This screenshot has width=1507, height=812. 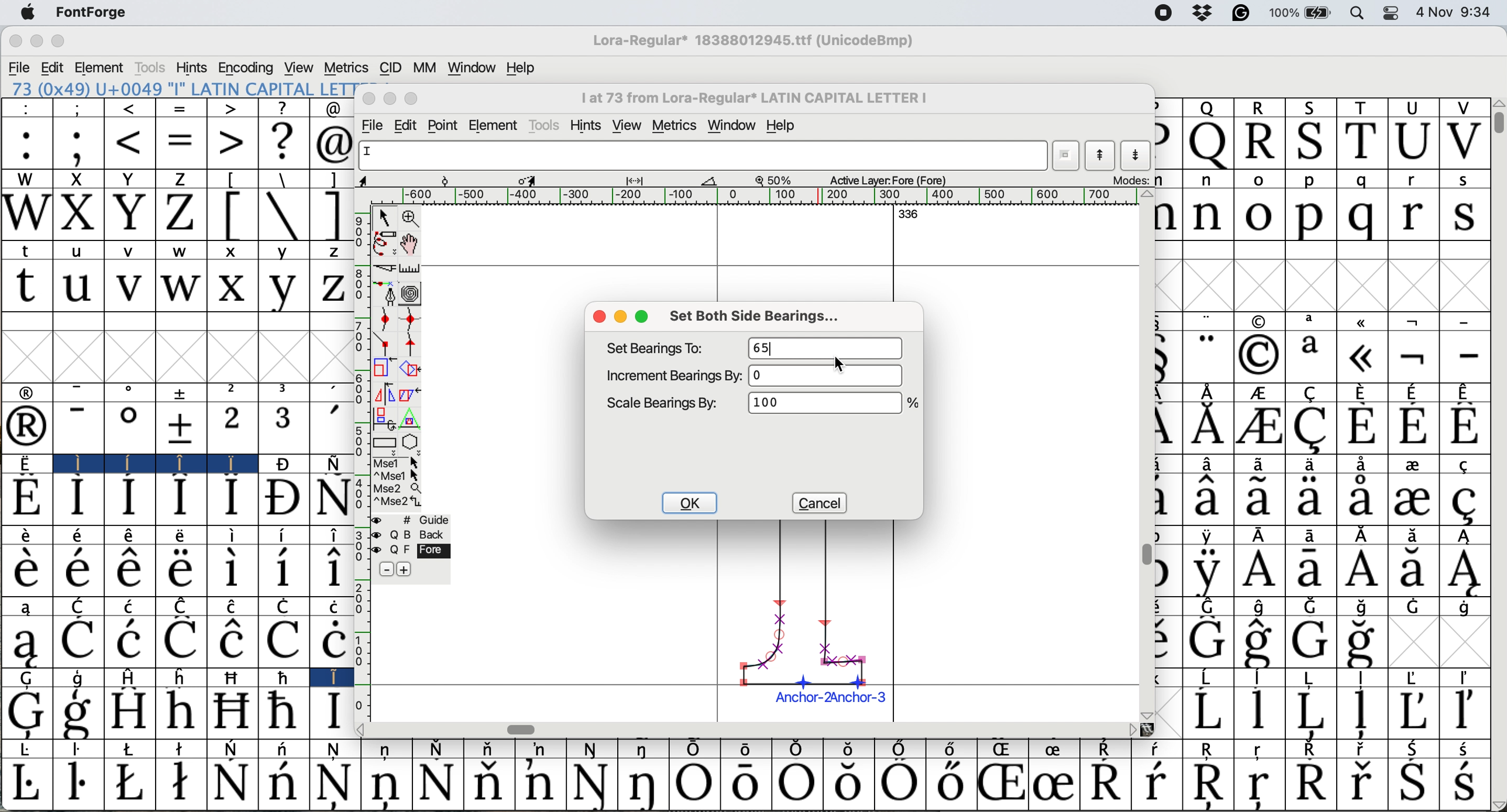 I want to click on Symbol, so click(x=1312, y=499).